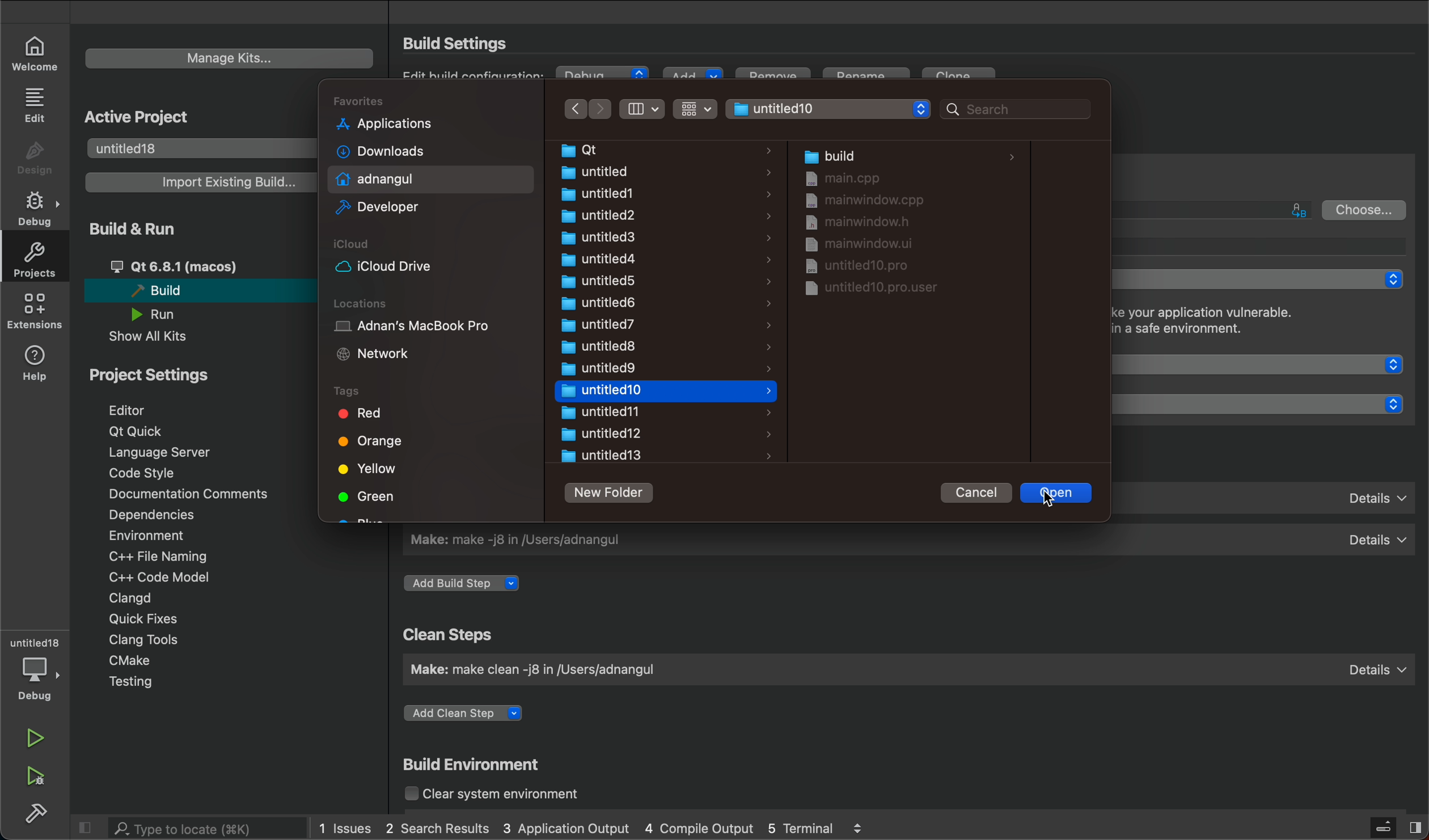 The width and height of the screenshot is (1429, 840). What do you see at coordinates (209, 265) in the screenshot?
I see `qt 6.8.1 (macos)` at bounding box center [209, 265].